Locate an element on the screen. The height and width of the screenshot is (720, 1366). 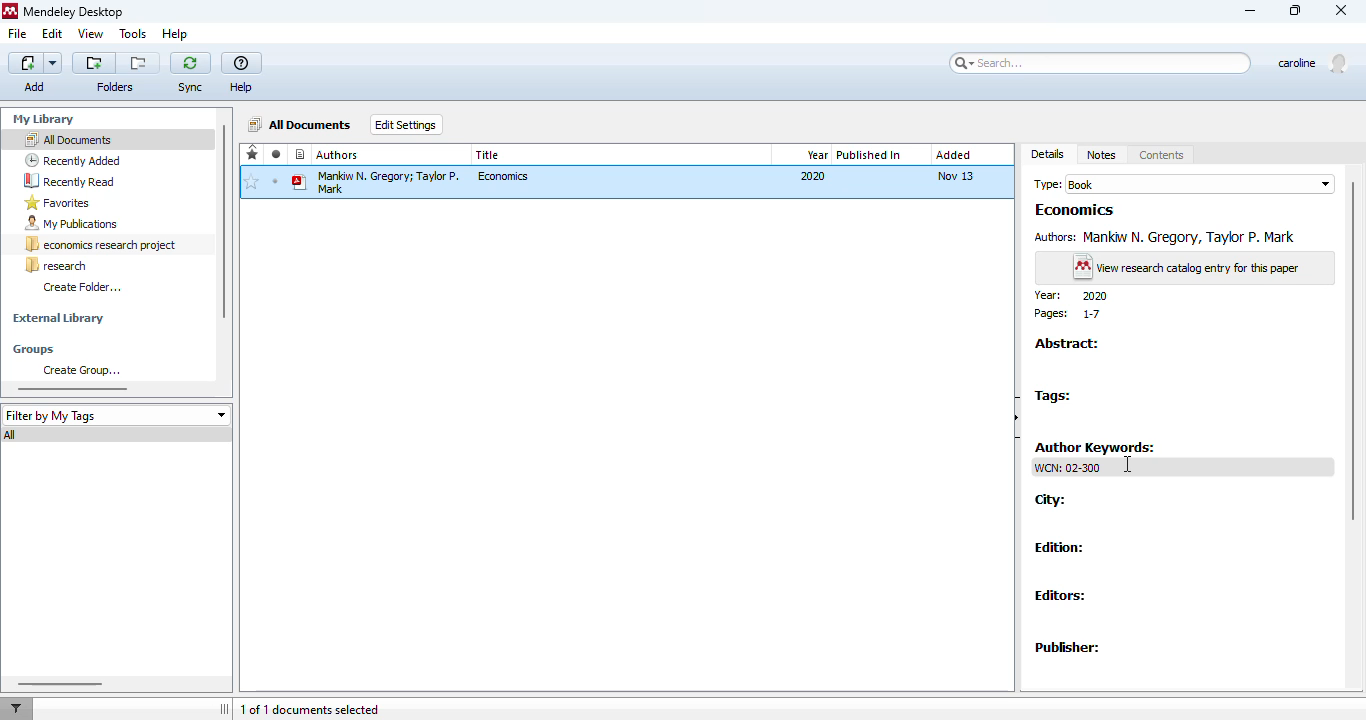
unread is located at coordinates (276, 181).